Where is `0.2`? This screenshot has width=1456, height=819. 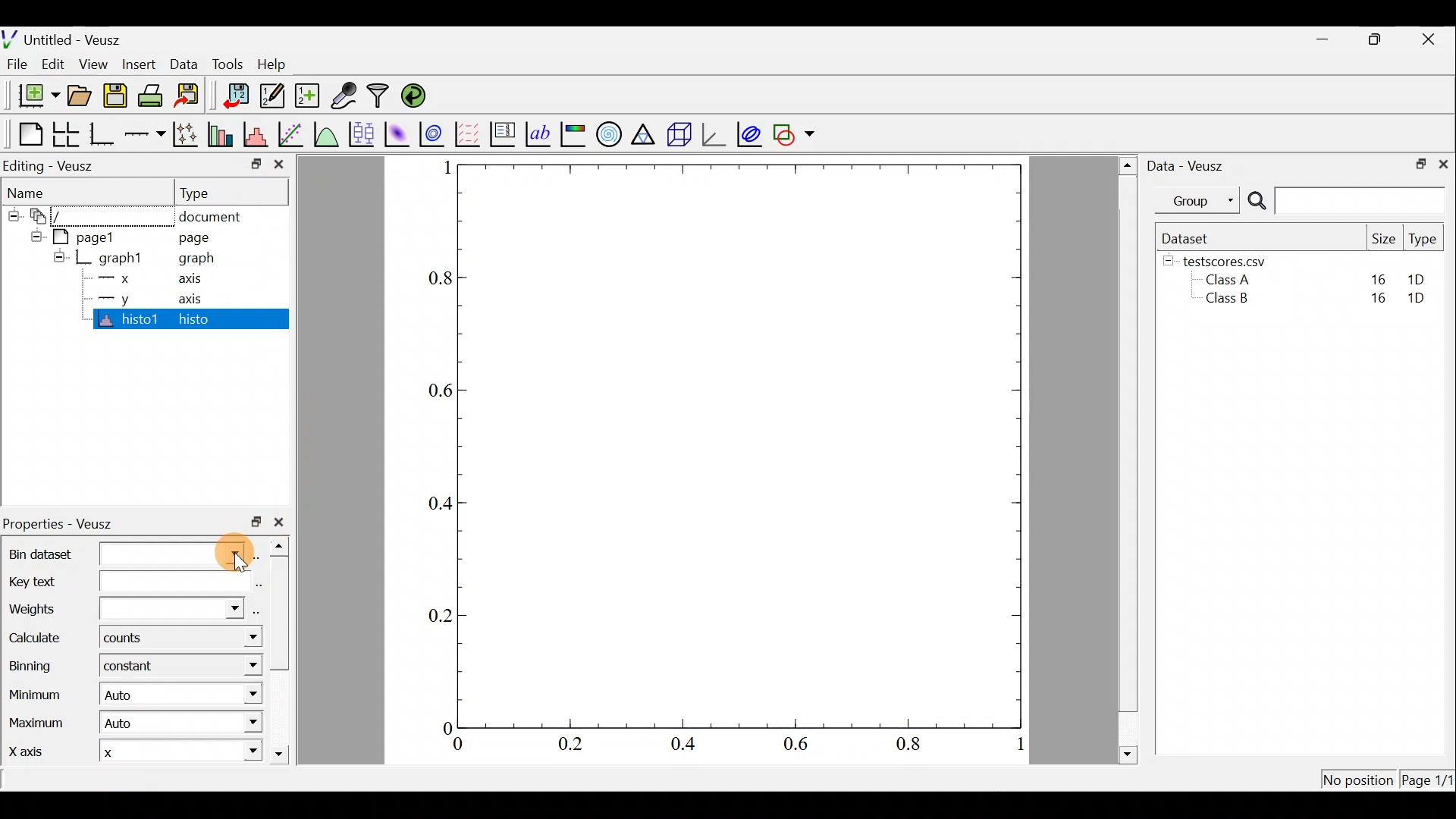 0.2 is located at coordinates (573, 747).